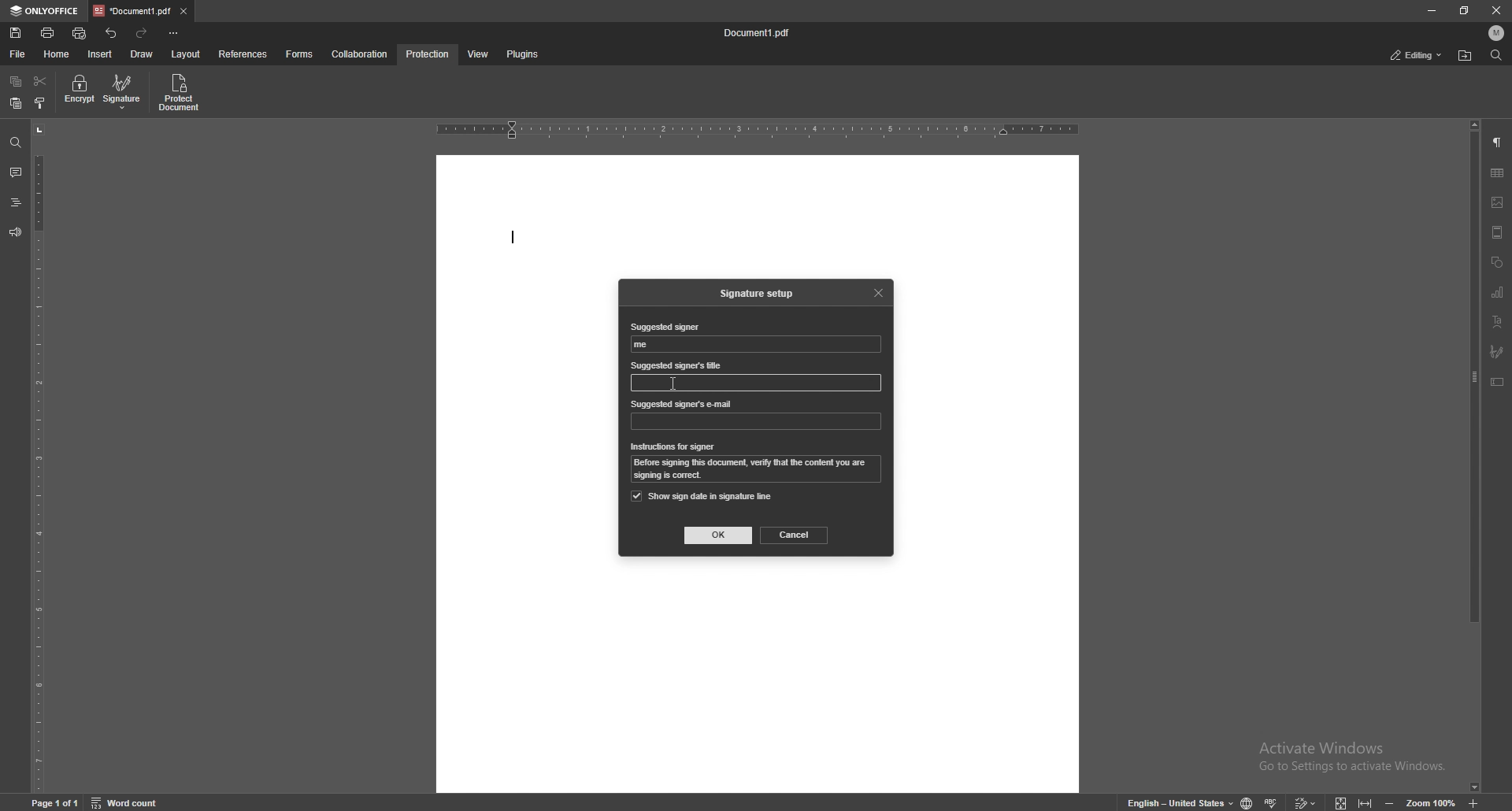 Image resolution: width=1512 pixels, height=811 pixels. I want to click on input box, so click(755, 421).